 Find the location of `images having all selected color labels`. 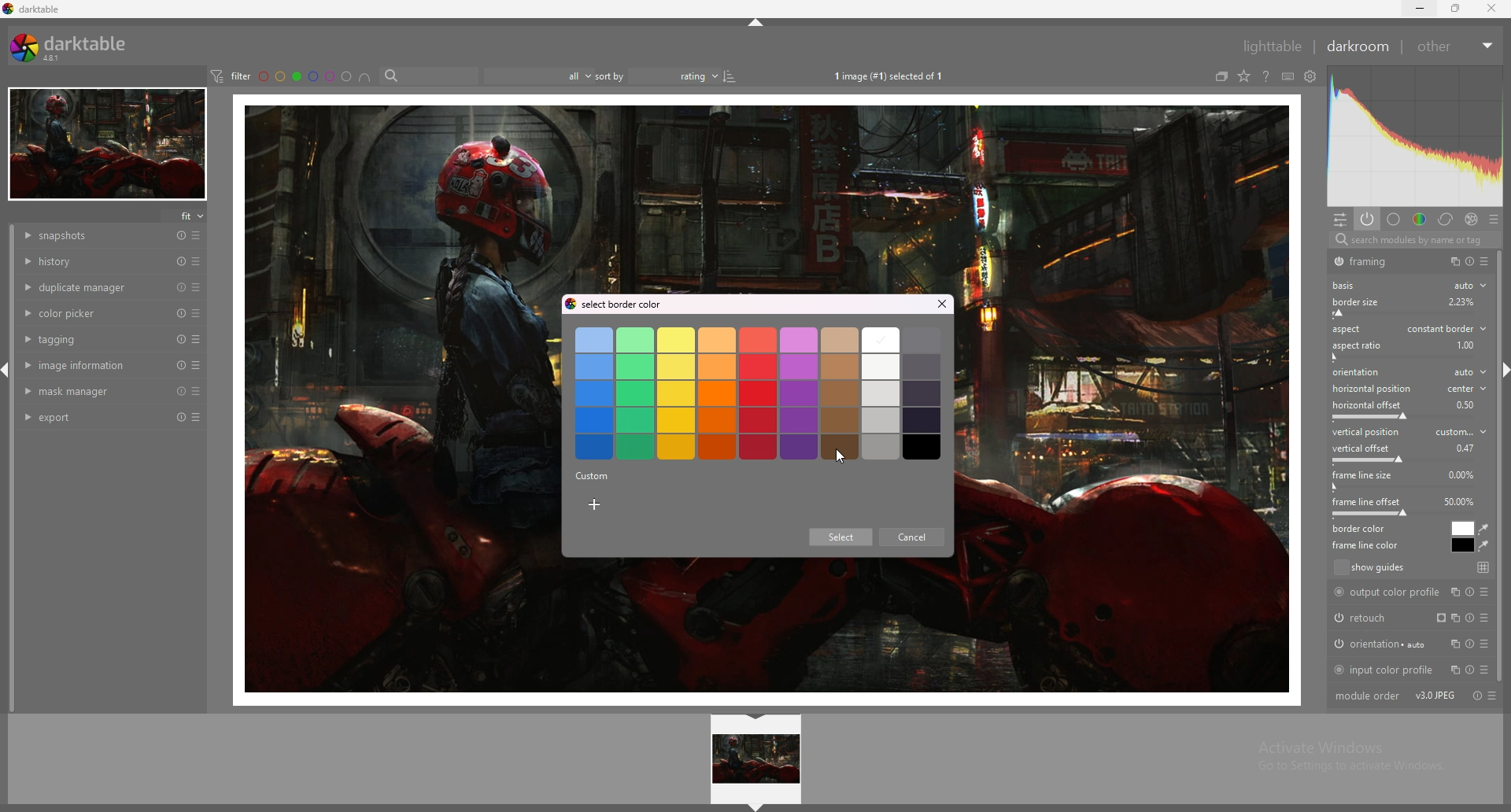

images having all selected color labels is located at coordinates (364, 76).